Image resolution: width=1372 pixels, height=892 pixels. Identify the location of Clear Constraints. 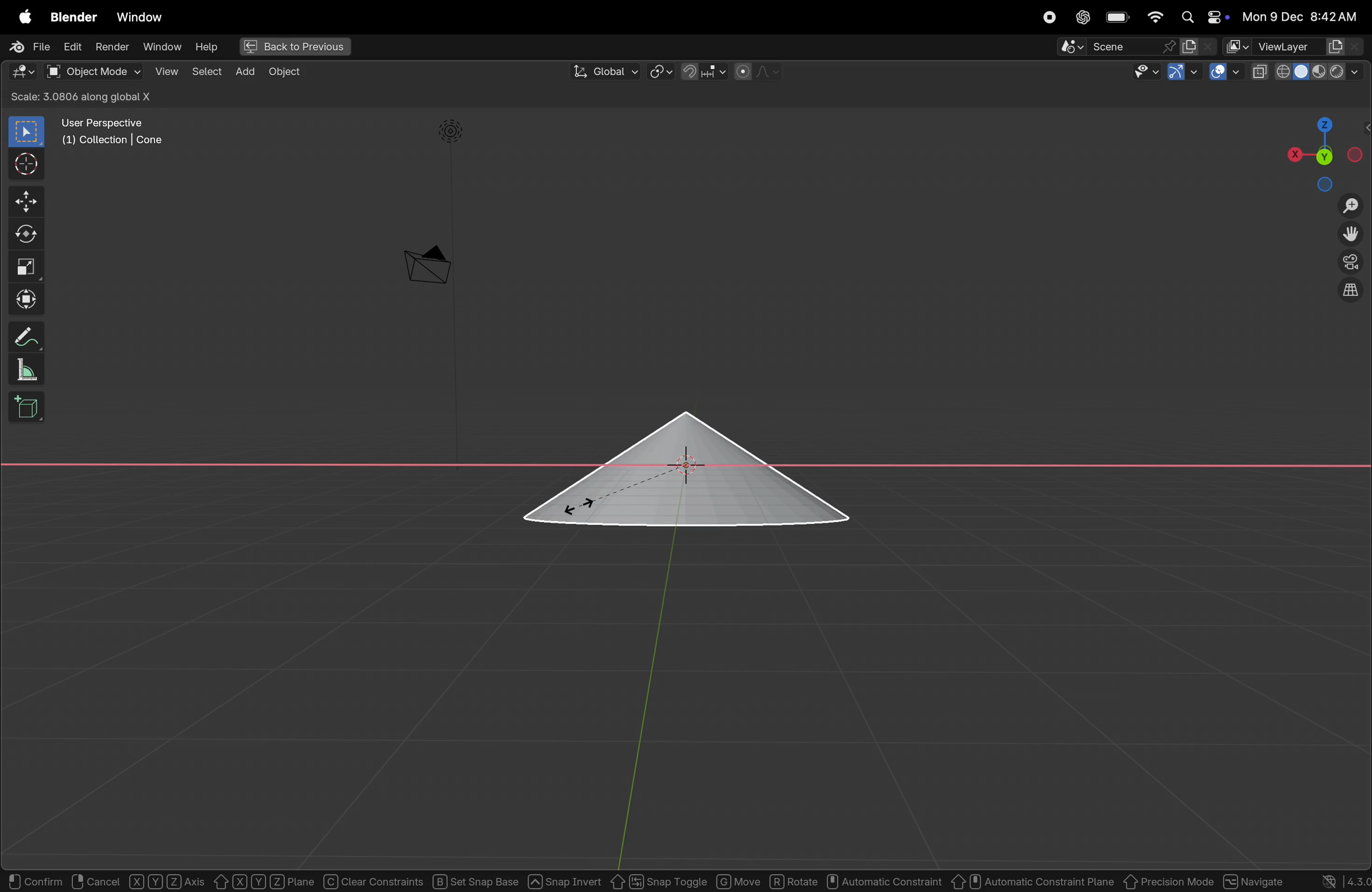
(374, 881).